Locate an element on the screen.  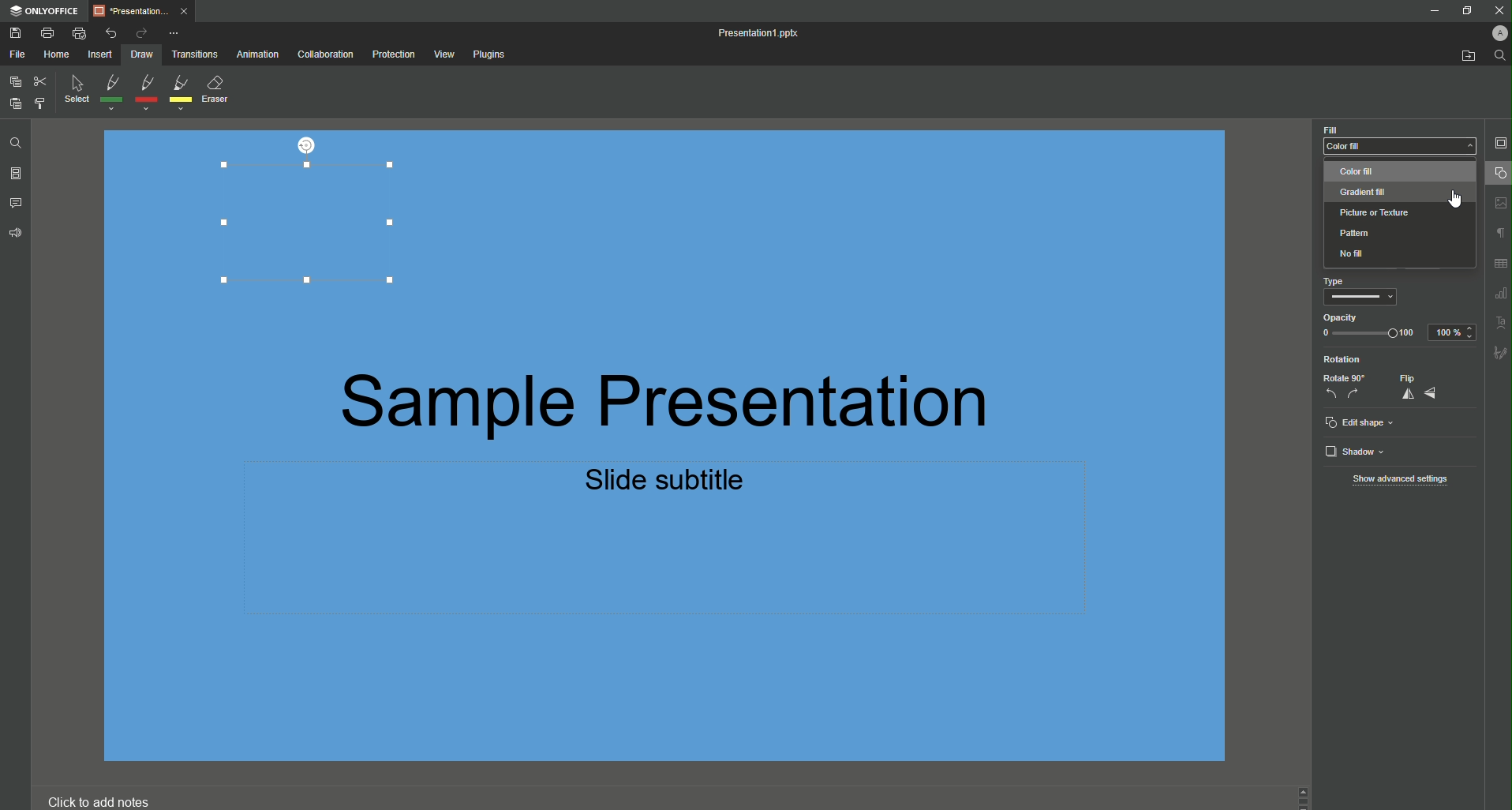
Tab 1 is located at coordinates (146, 12).